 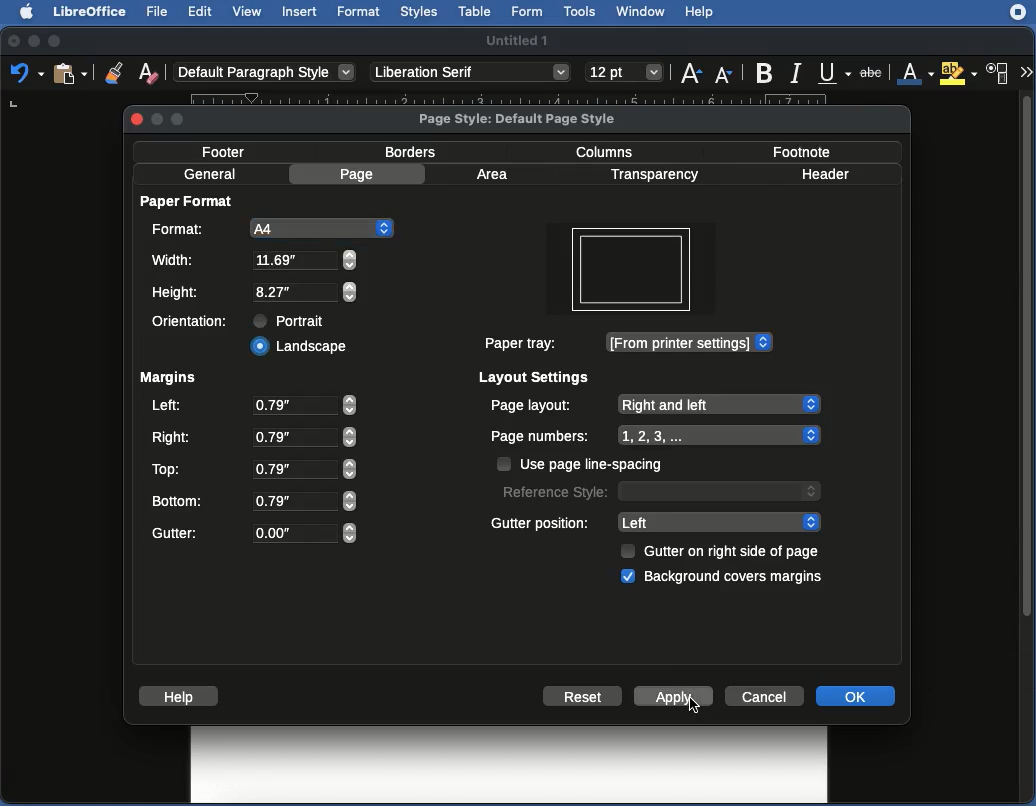 What do you see at coordinates (472, 74) in the screenshot?
I see `` at bounding box center [472, 74].